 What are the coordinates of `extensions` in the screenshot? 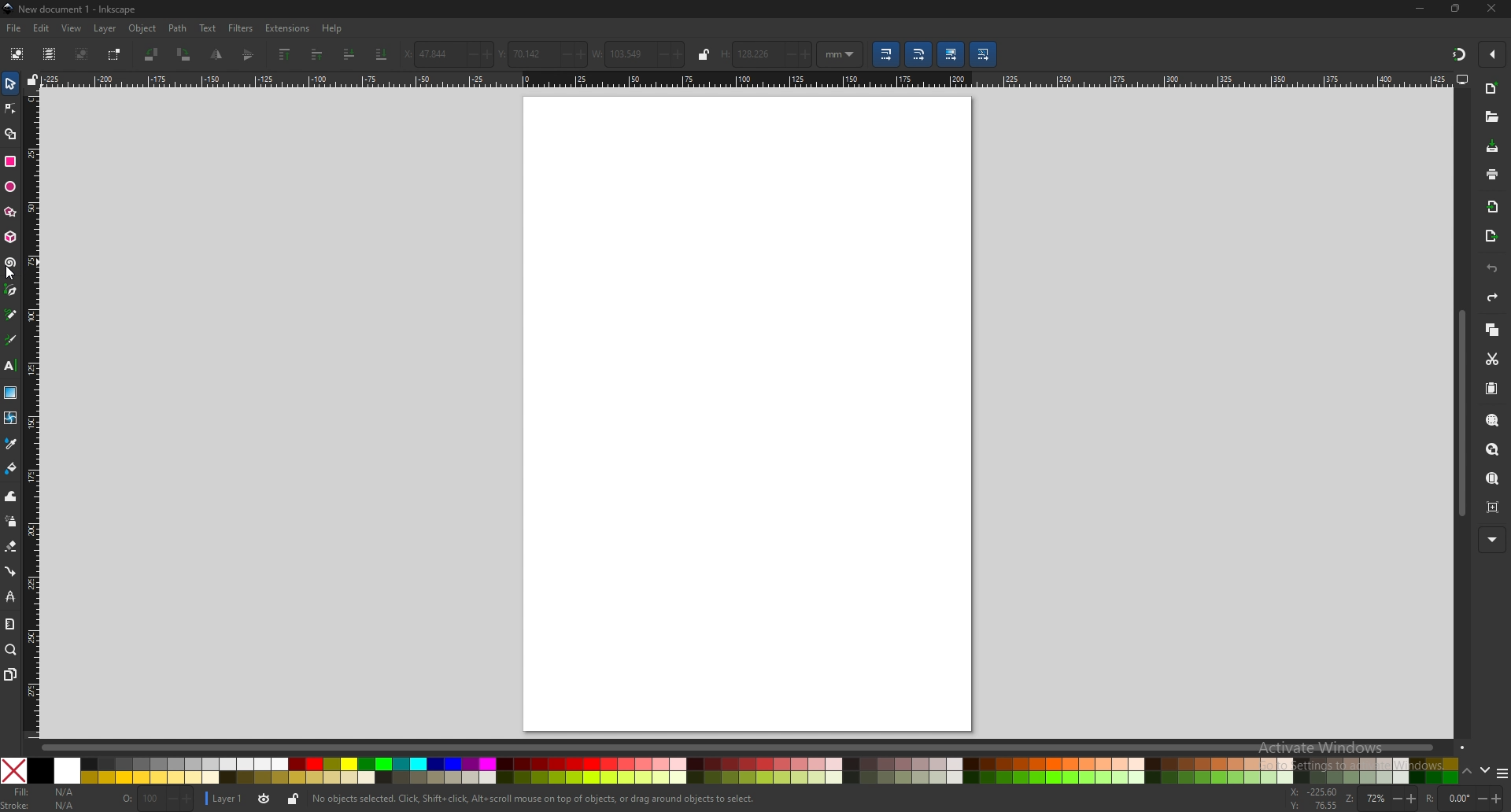 It's located at (289, 28).